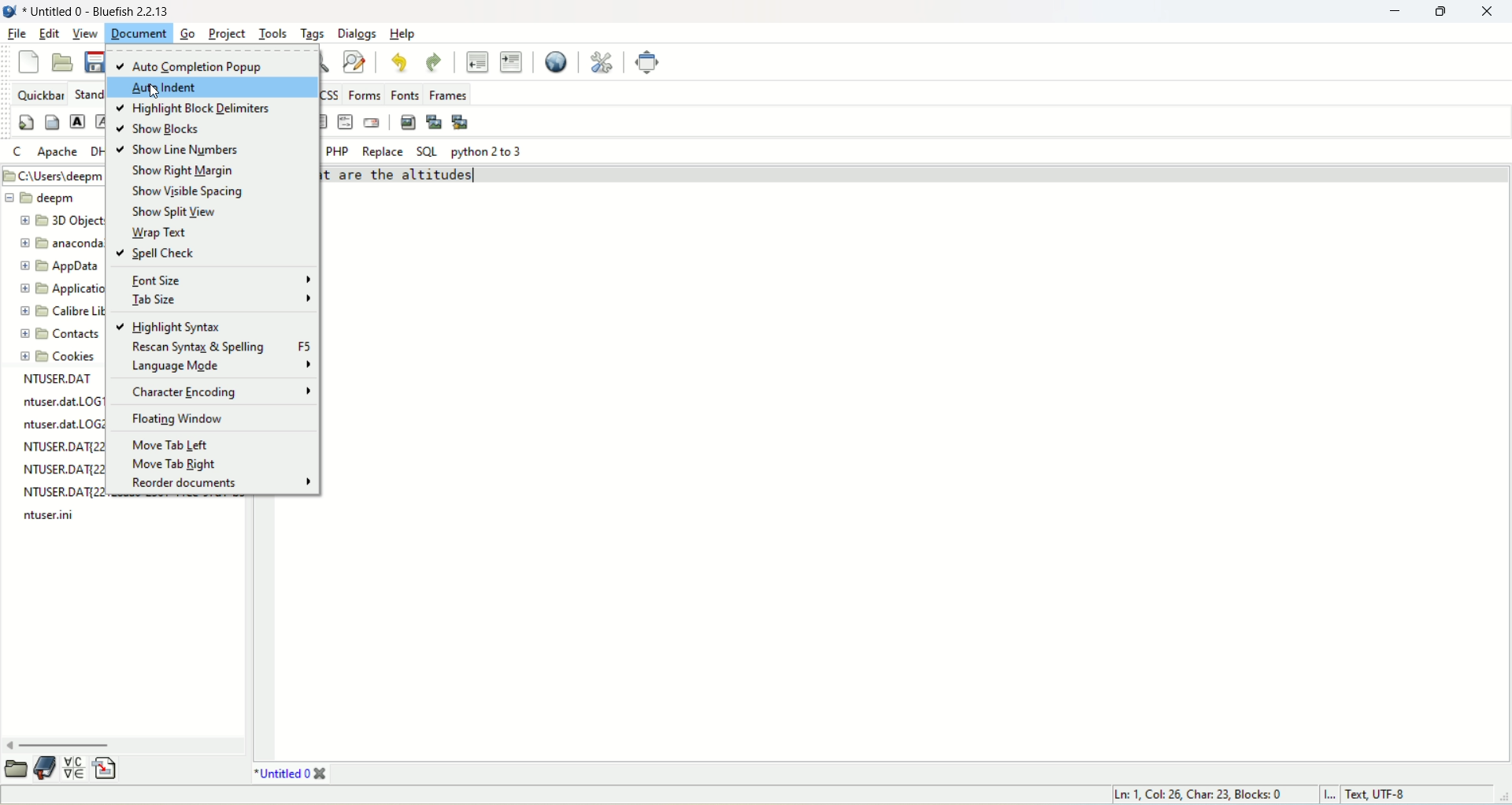 Image resolution: width=1512 pixels, height=805 pixels. Describe the element at coordinates (426, 150) in the screenshot. I see `SQL` at that location.